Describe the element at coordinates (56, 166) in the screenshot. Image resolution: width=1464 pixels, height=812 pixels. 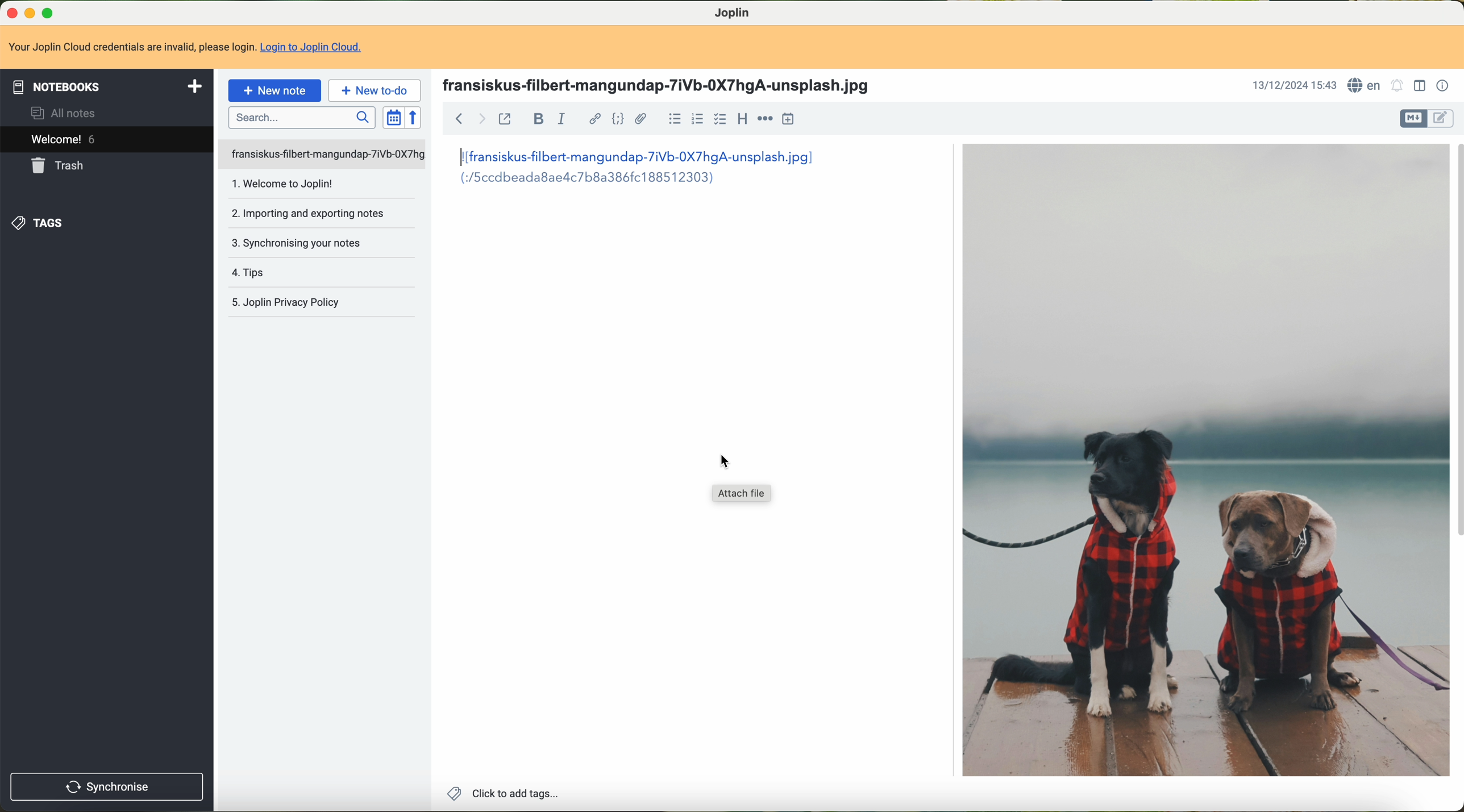
I see `trash` at that location.